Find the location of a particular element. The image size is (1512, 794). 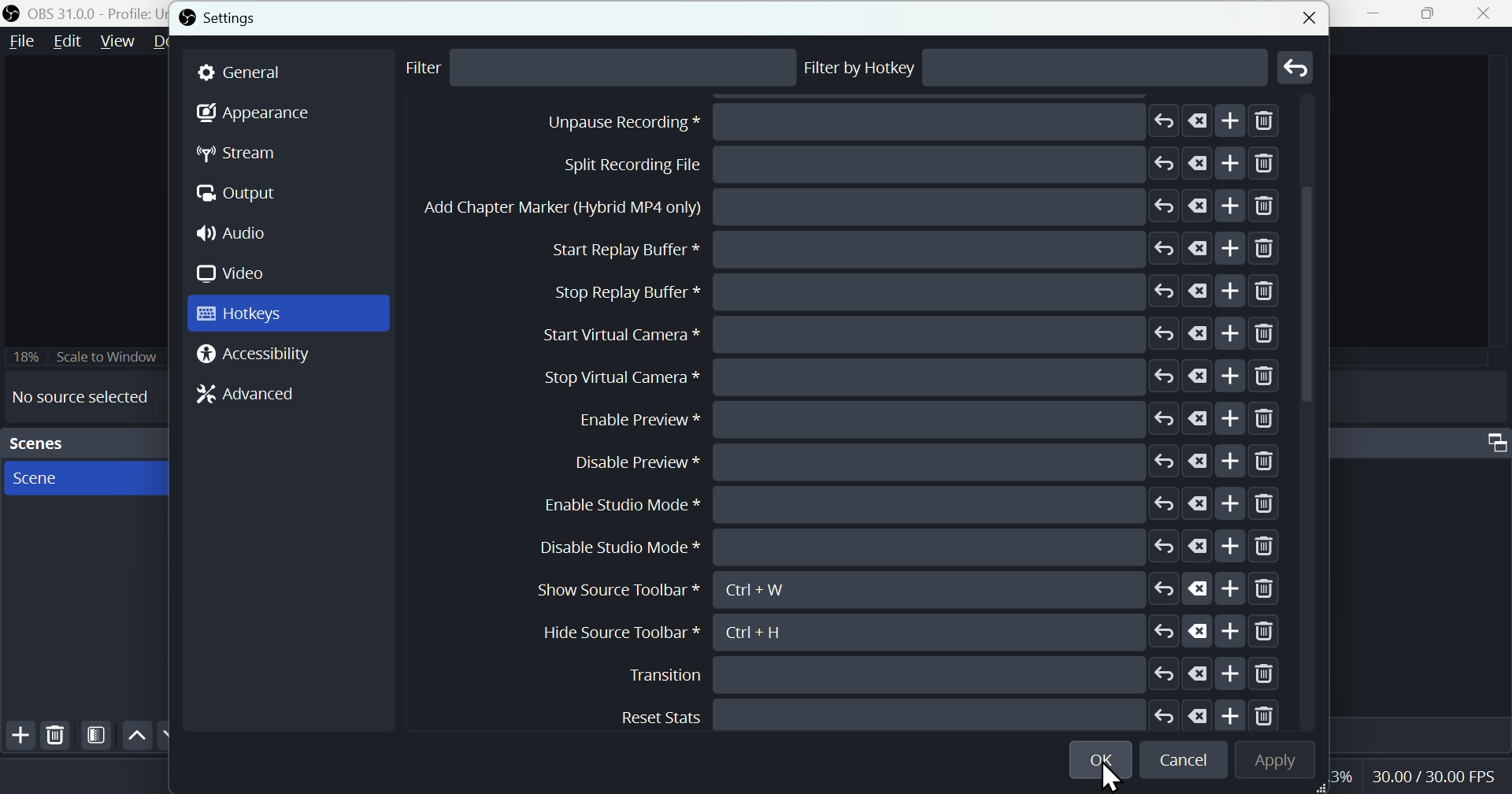

Filter is located at coordinates (97, 736).